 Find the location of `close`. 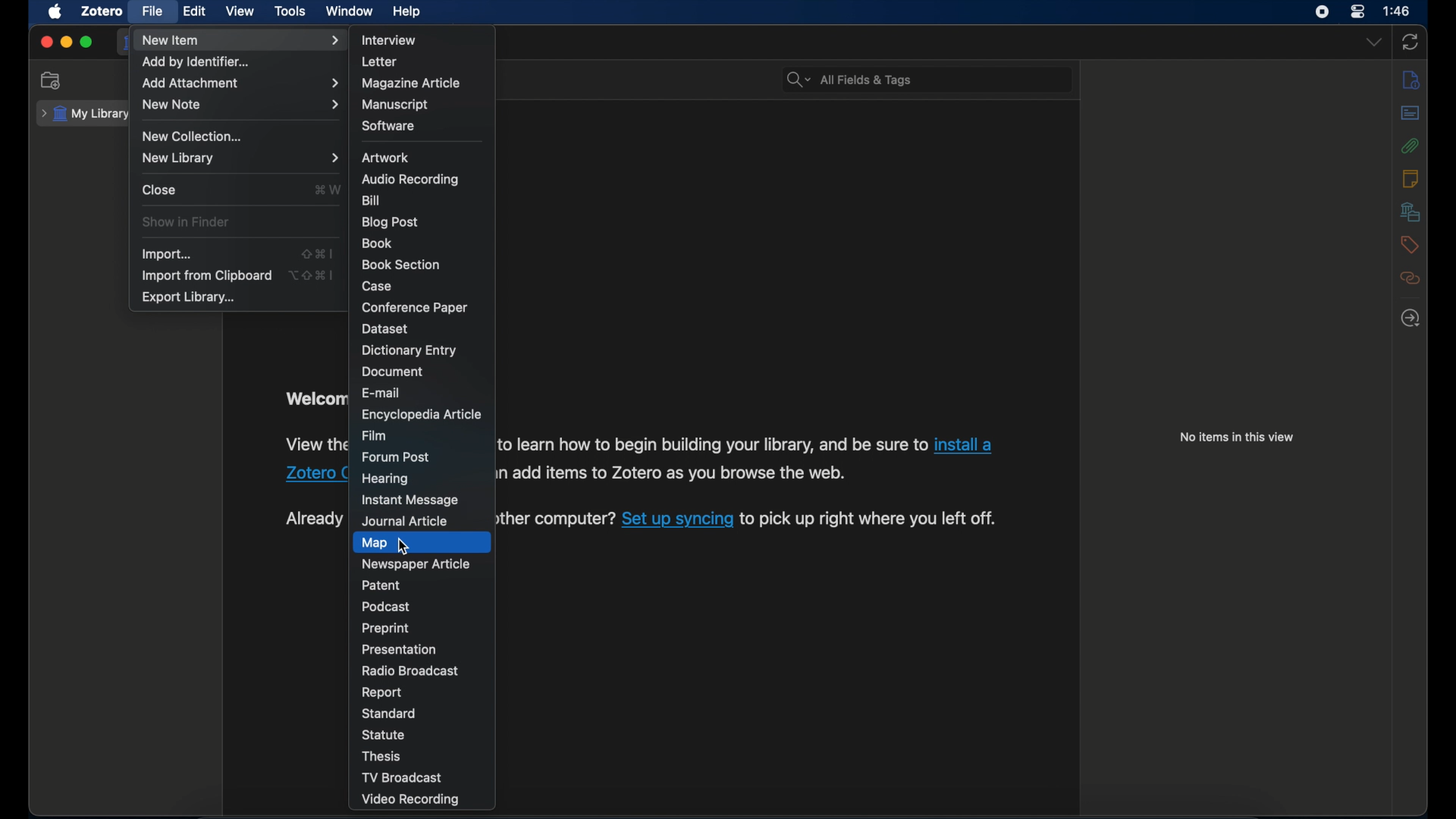

close is located at coordinates (159, 189).